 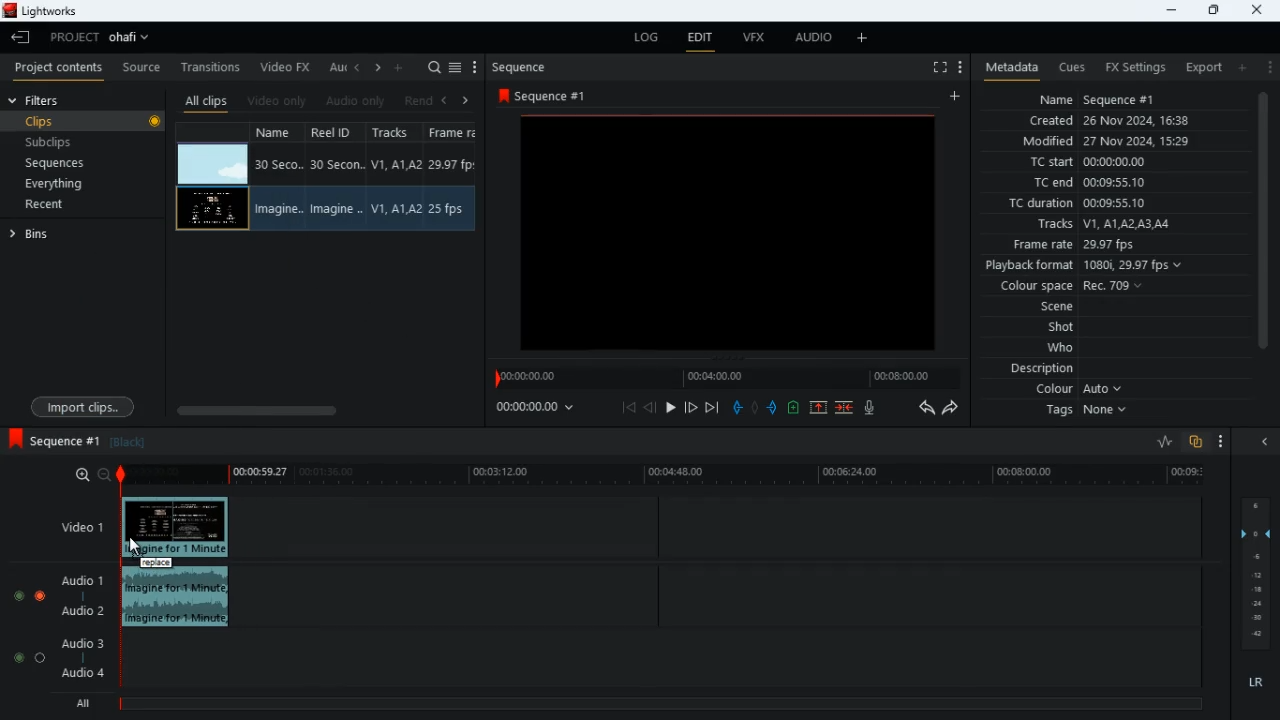 What do you see at coordinates (755, 408) in the screenshot?
I see `hold` at bounding box center [755, 408].